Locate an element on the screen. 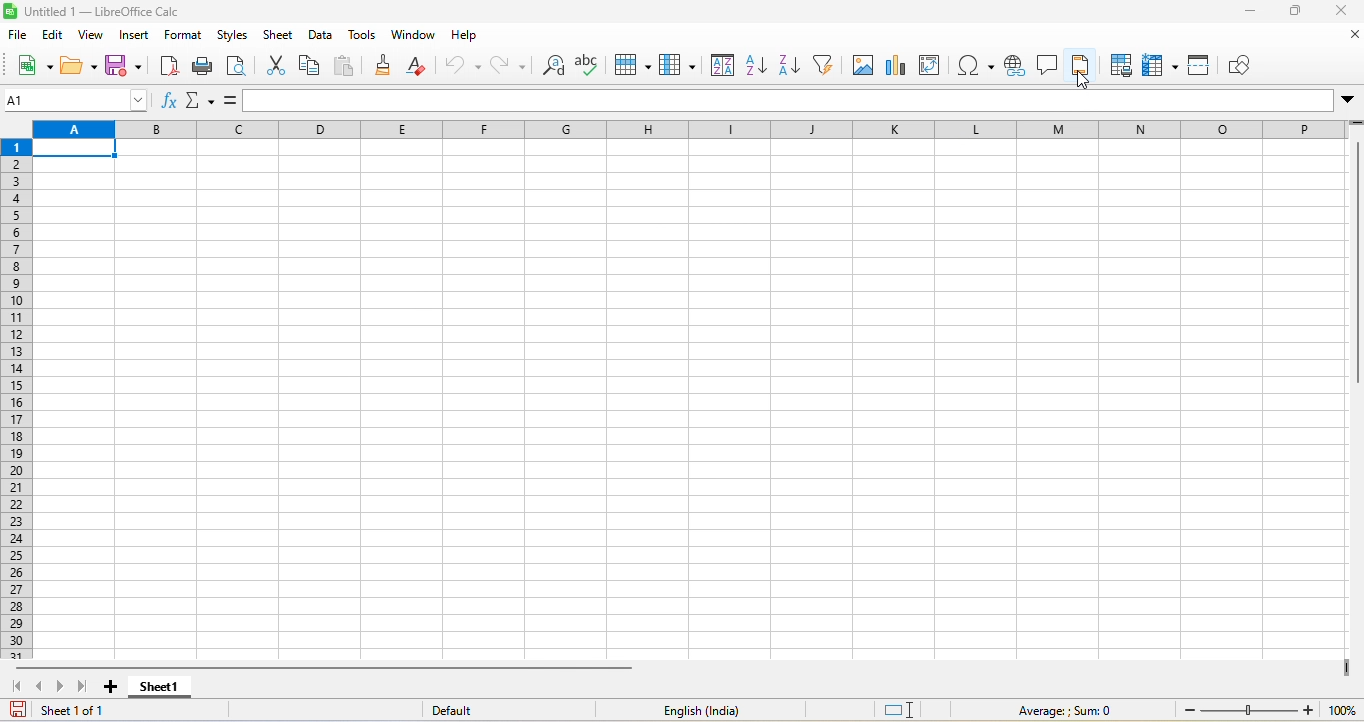 The image size is (1364, 722). last sheet is located at coordinates (87, 687).